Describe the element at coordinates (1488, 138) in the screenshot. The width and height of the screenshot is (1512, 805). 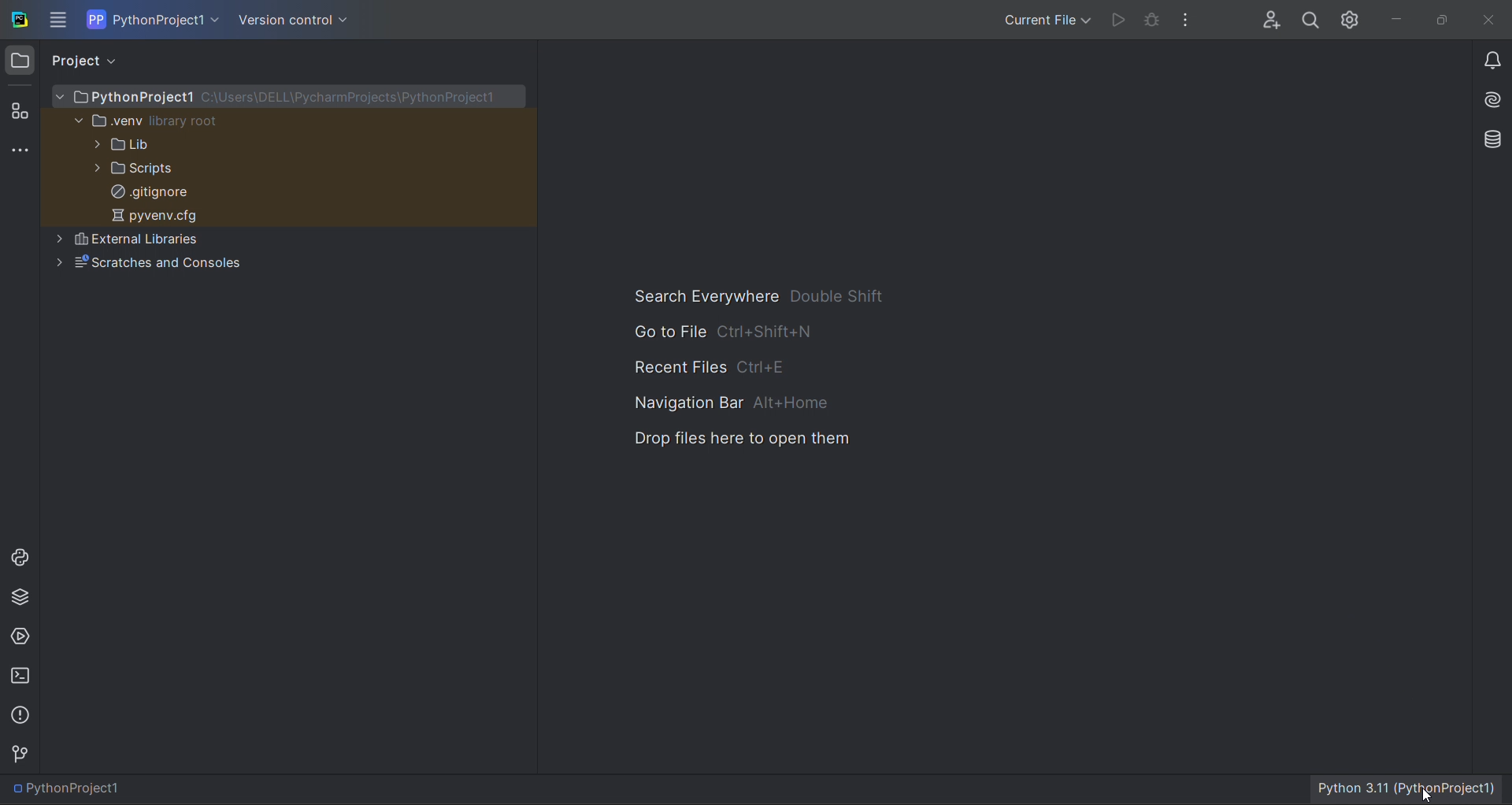
I see `database` at that location.